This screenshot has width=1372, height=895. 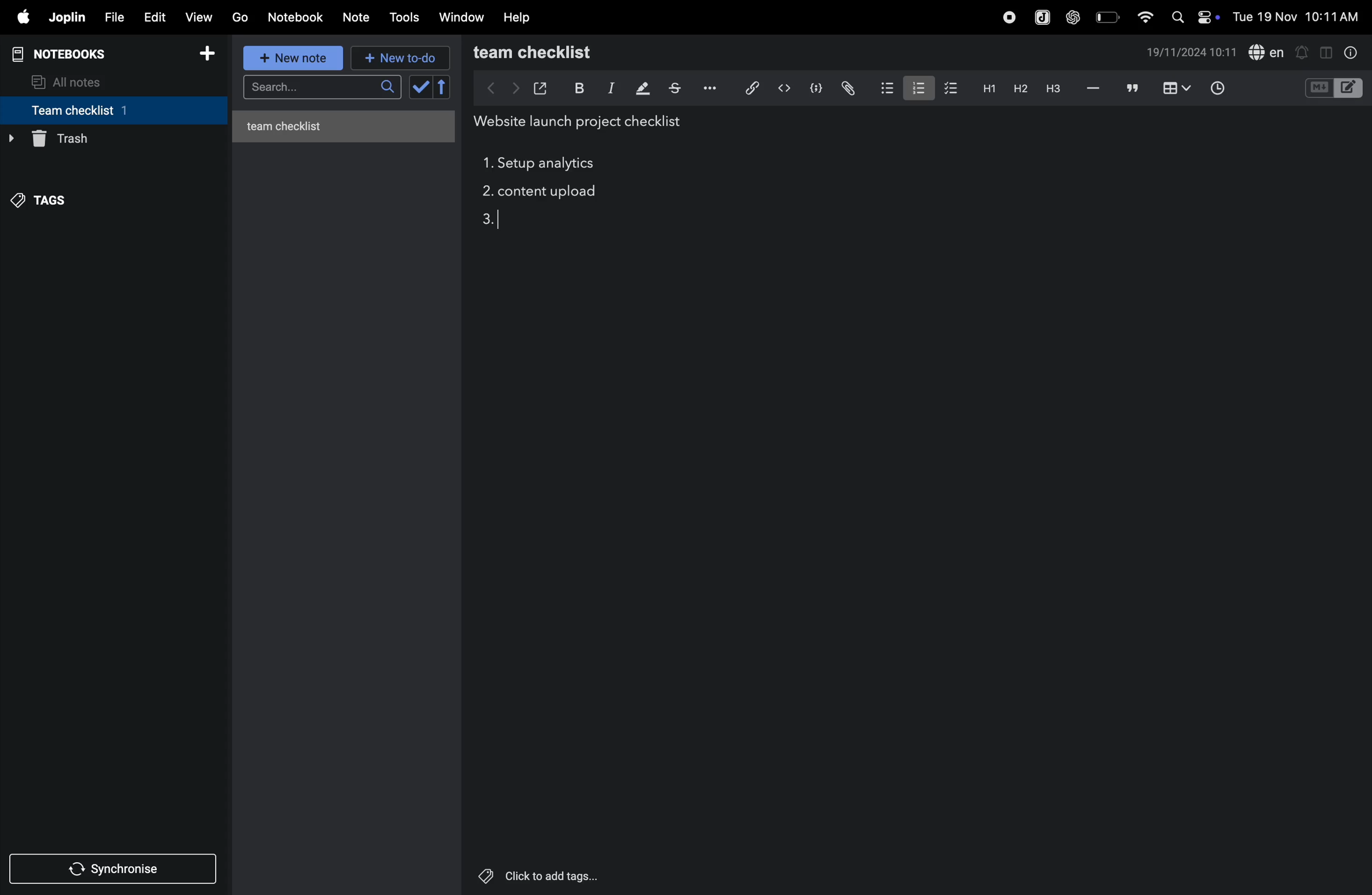 What do you see at coordinates (1017, 88) in the screenshot?
I see `heading 2` at bounding box center [1017, 88].